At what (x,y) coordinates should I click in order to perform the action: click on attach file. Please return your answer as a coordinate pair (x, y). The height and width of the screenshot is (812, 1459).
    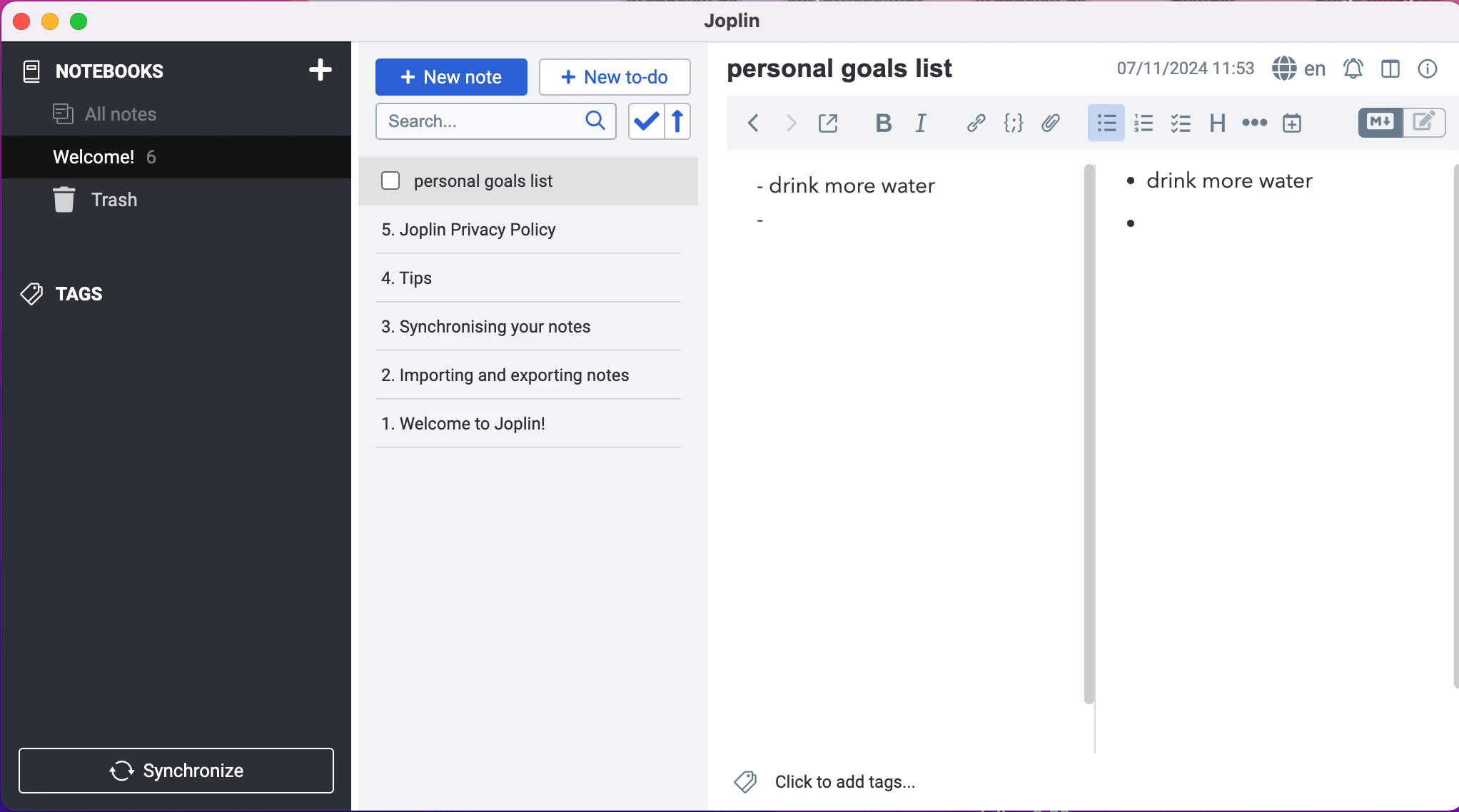
    Looking at the image, I should click on (1049, 123).